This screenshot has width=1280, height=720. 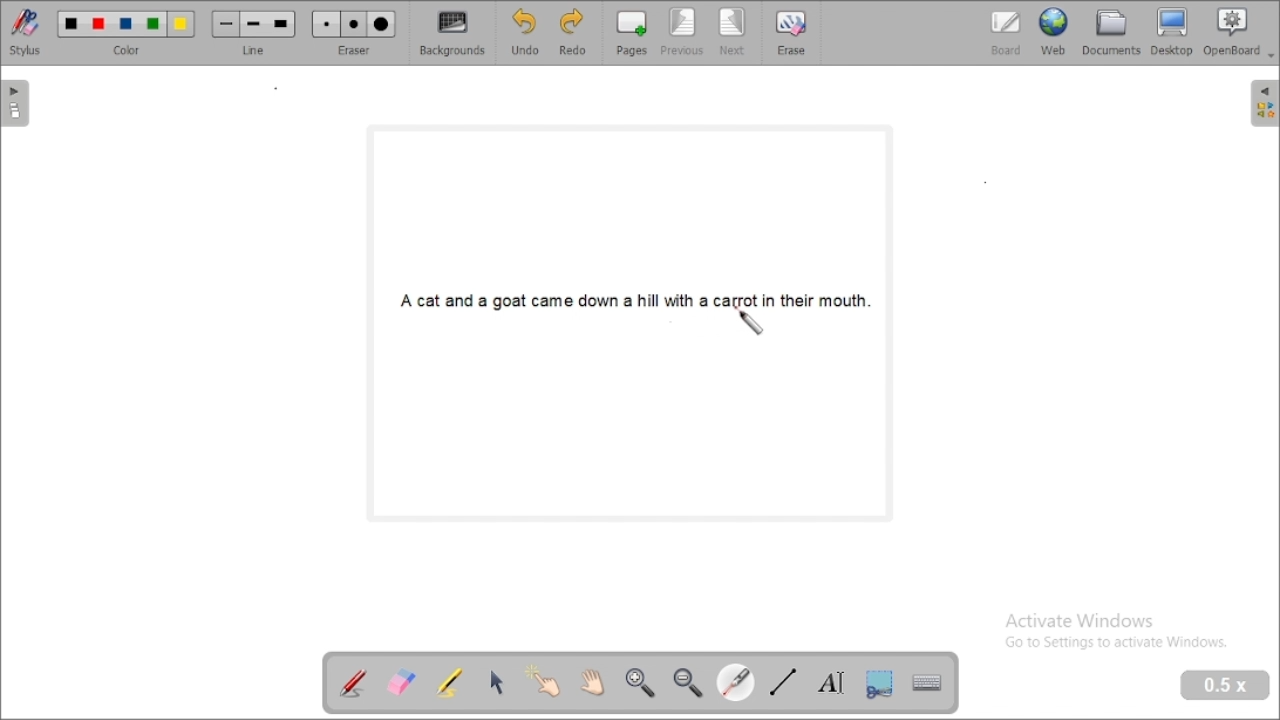 I want to click on write text, so click(x=830, y=682).